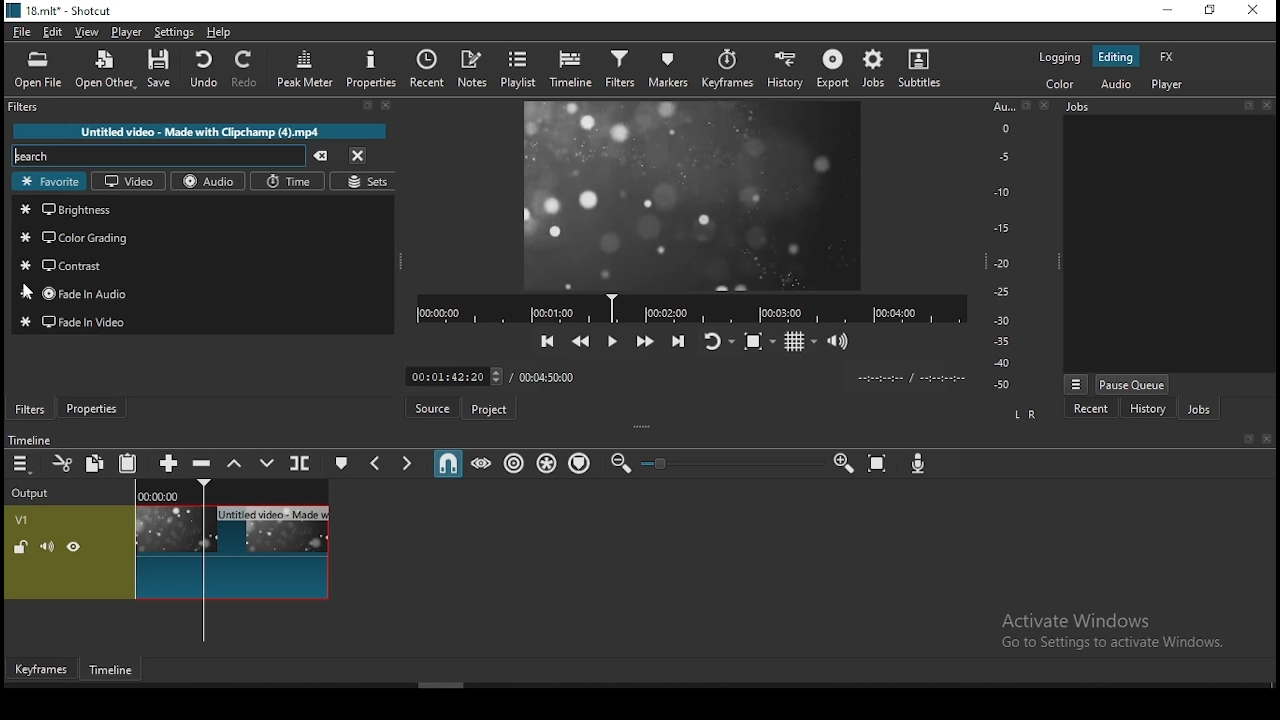  Describe the element at coordinates (407, 461) in the screenshot. I see `next marker` at that location.